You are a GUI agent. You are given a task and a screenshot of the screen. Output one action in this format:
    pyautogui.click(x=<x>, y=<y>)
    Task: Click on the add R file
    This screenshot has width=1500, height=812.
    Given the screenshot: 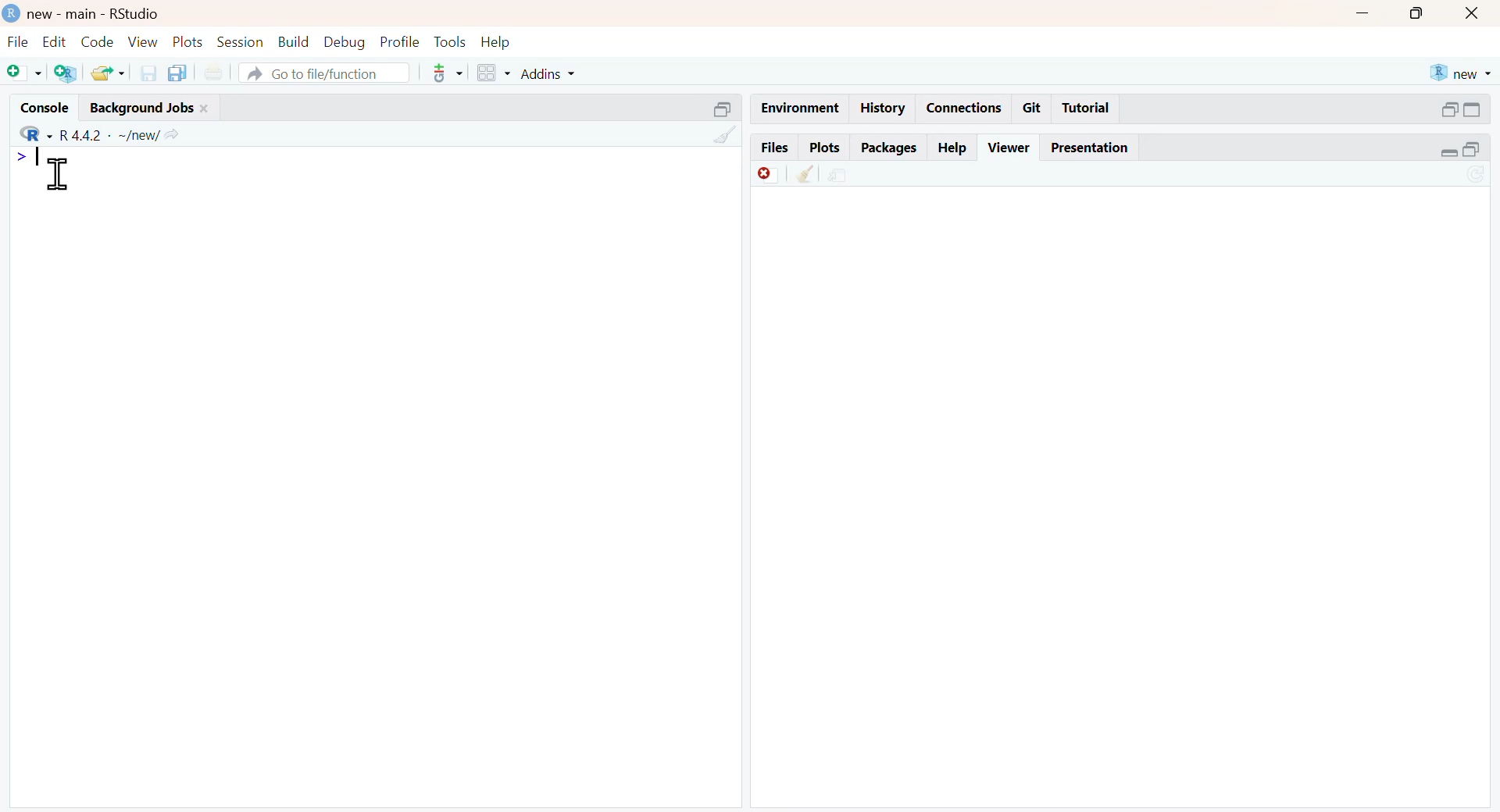 What is the action you would take?
    pyautogui.click(x=66, y=73)
    